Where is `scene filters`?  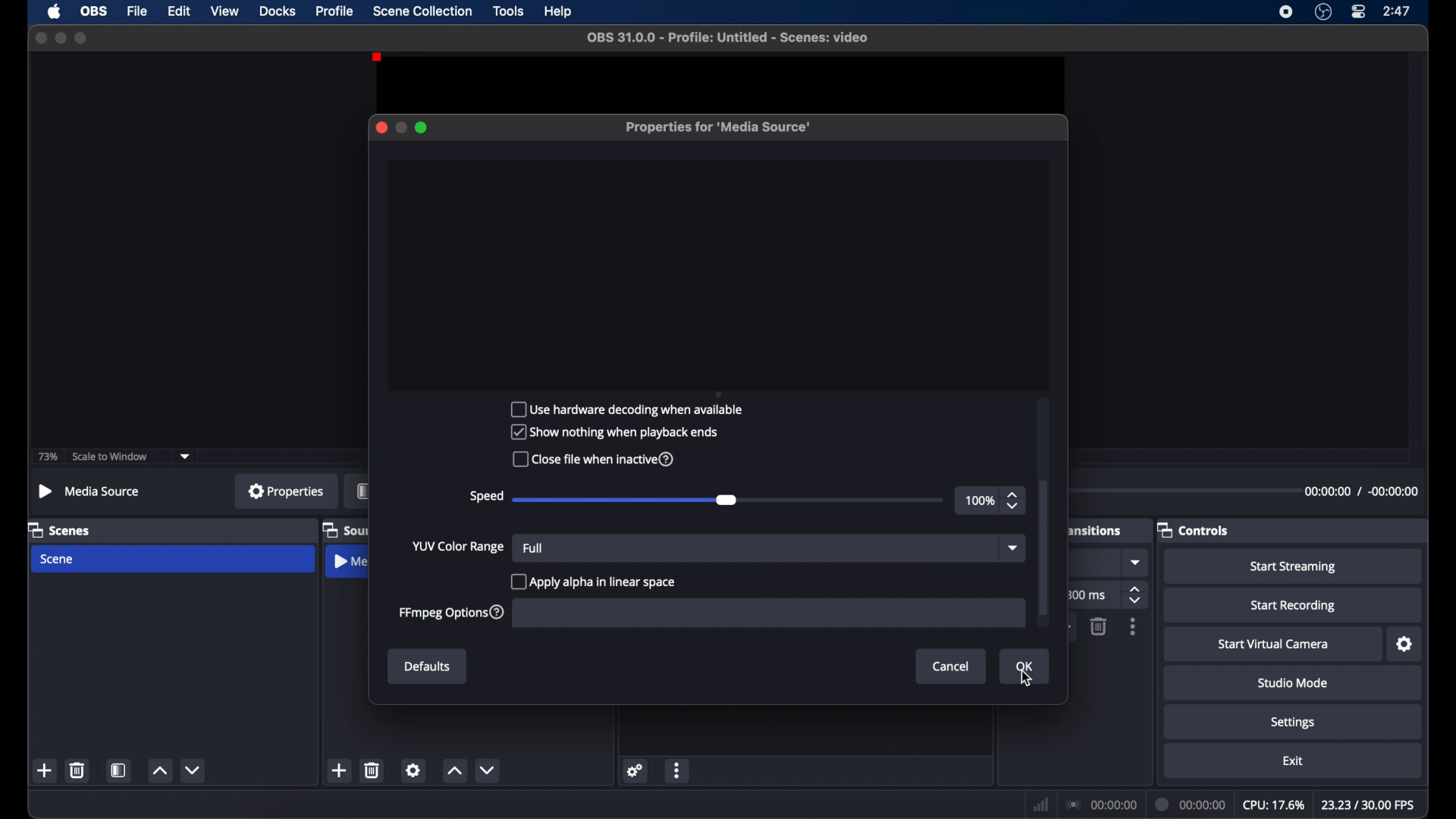 scene filters is located at coordinates (119, 770).